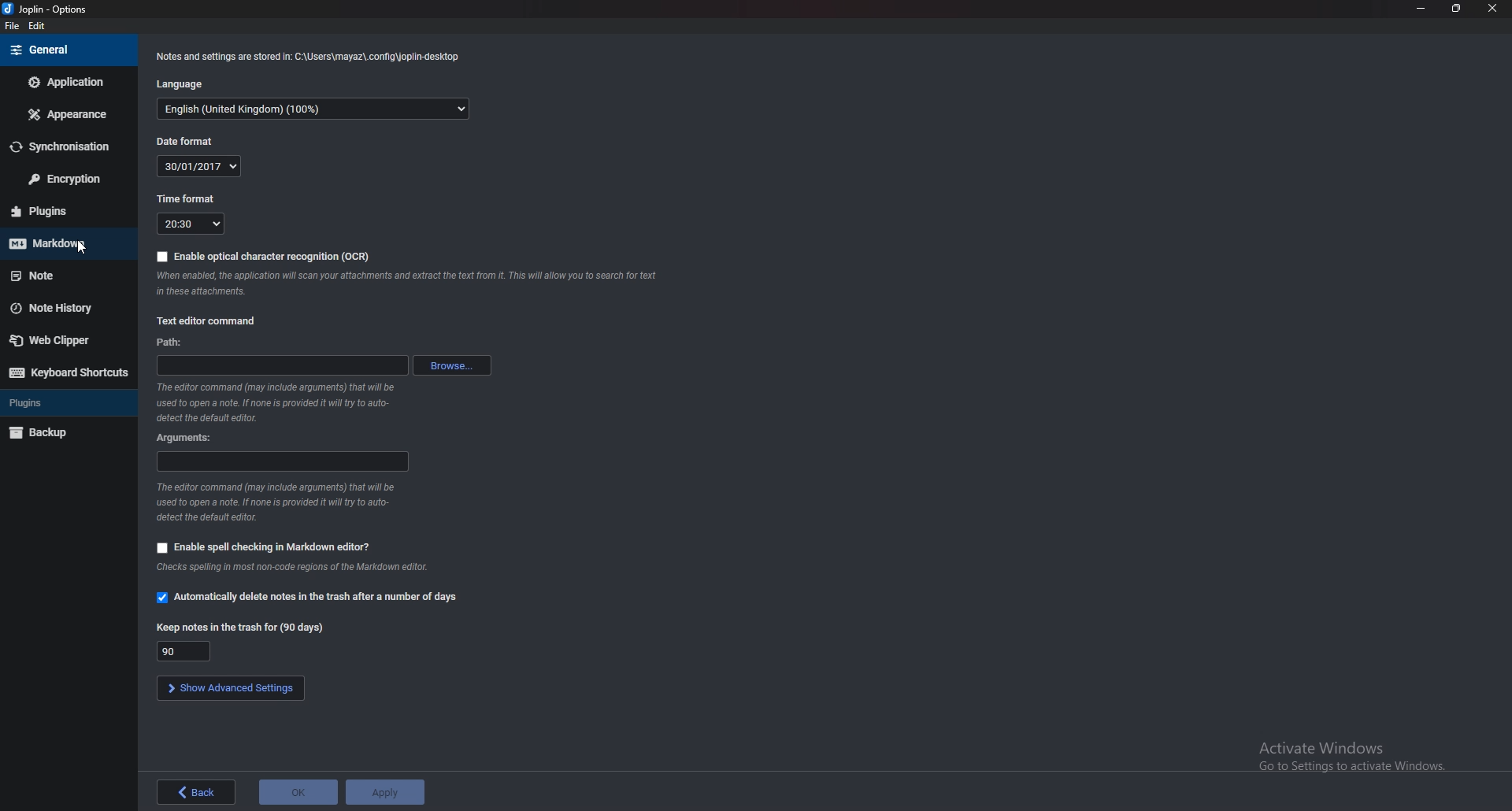 This screenshot has height=811, width=1512. Describe the element at coordinates (184, 651) in the screenshot. I see `90` at that location.